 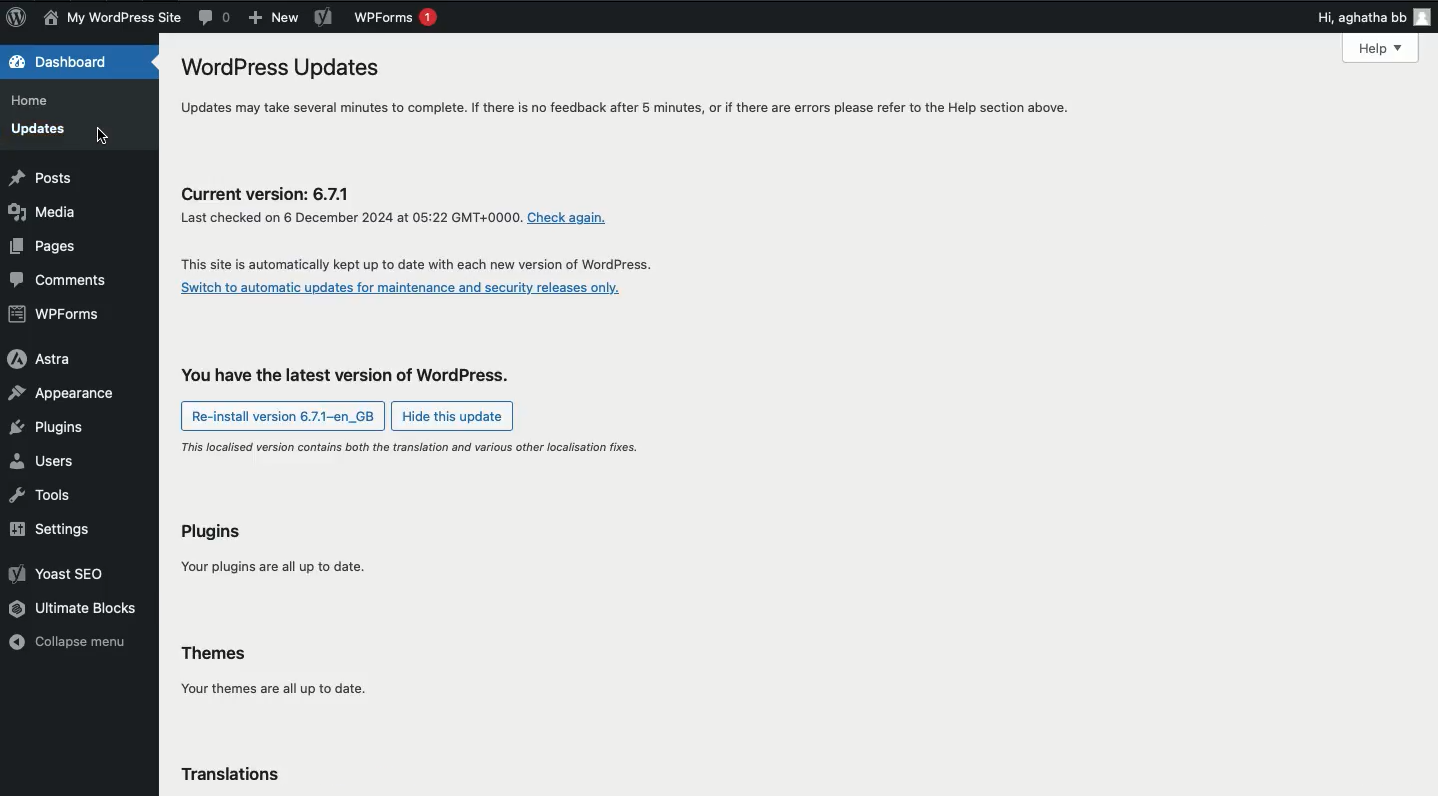 I want to click on Pages, so click(x=47, y=247).